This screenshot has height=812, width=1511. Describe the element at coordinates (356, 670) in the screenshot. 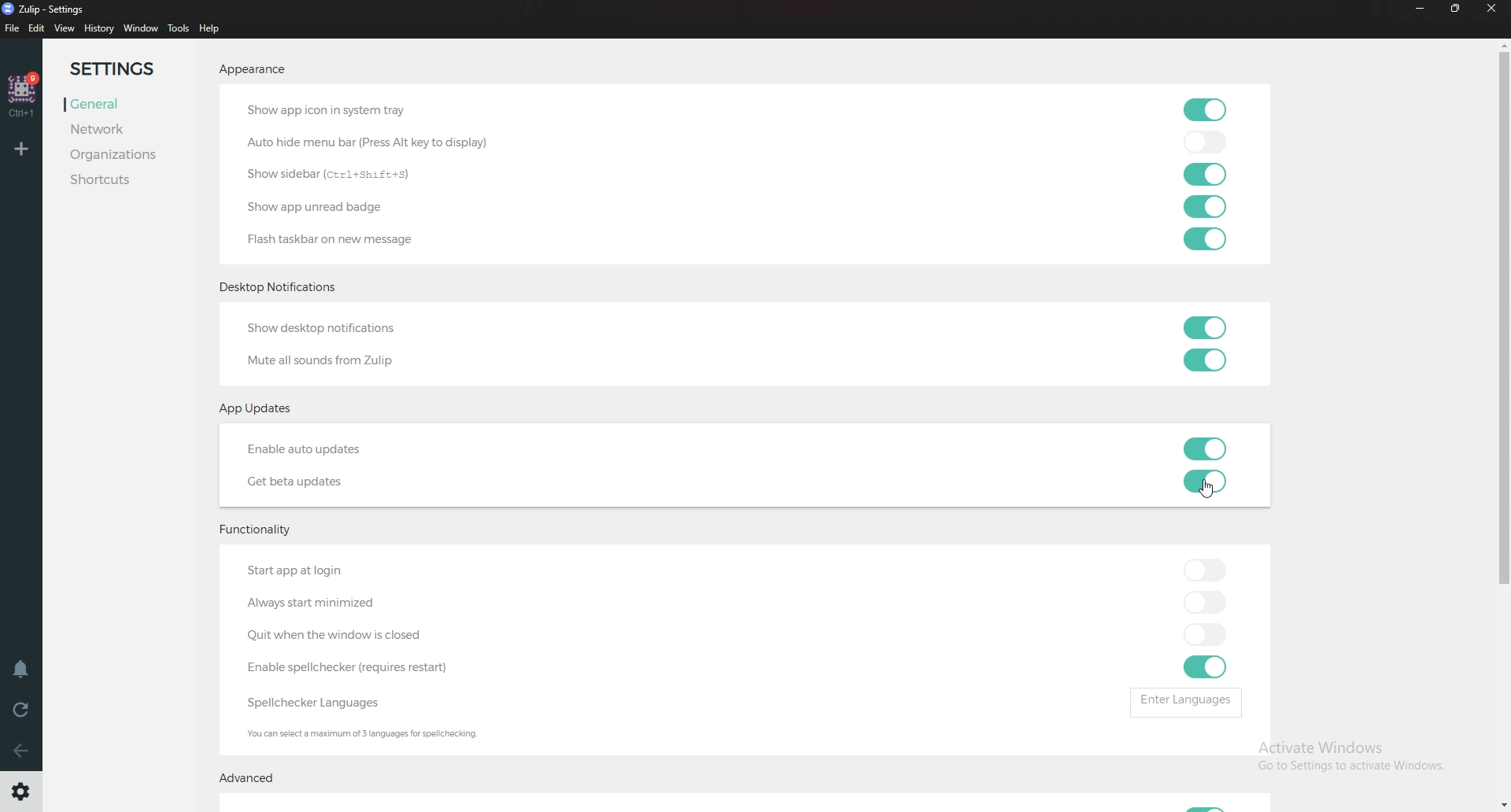

I see `enable Spell Checker` at that location.